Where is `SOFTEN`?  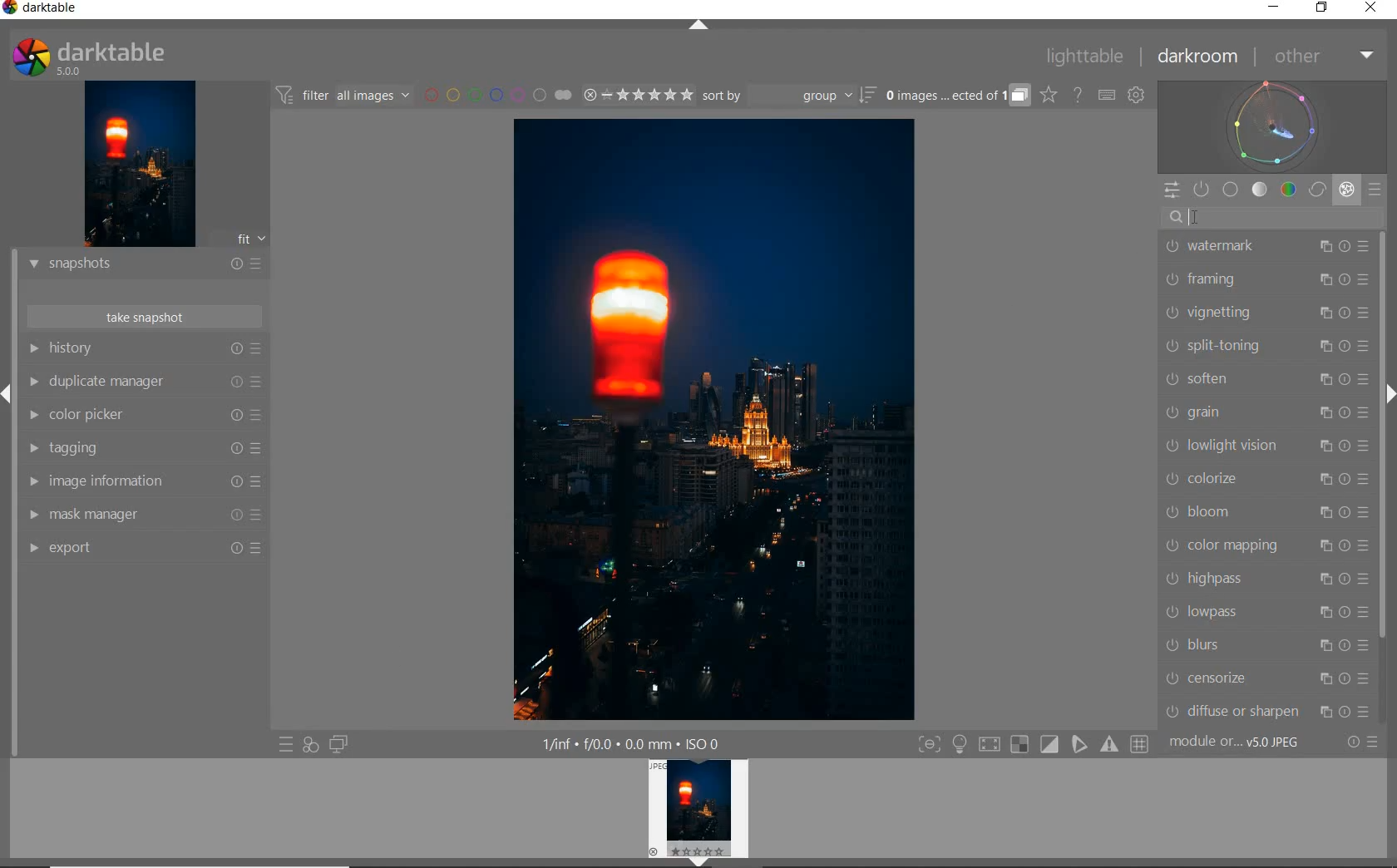 SOFTEN is located at coordinates (1220, 379).